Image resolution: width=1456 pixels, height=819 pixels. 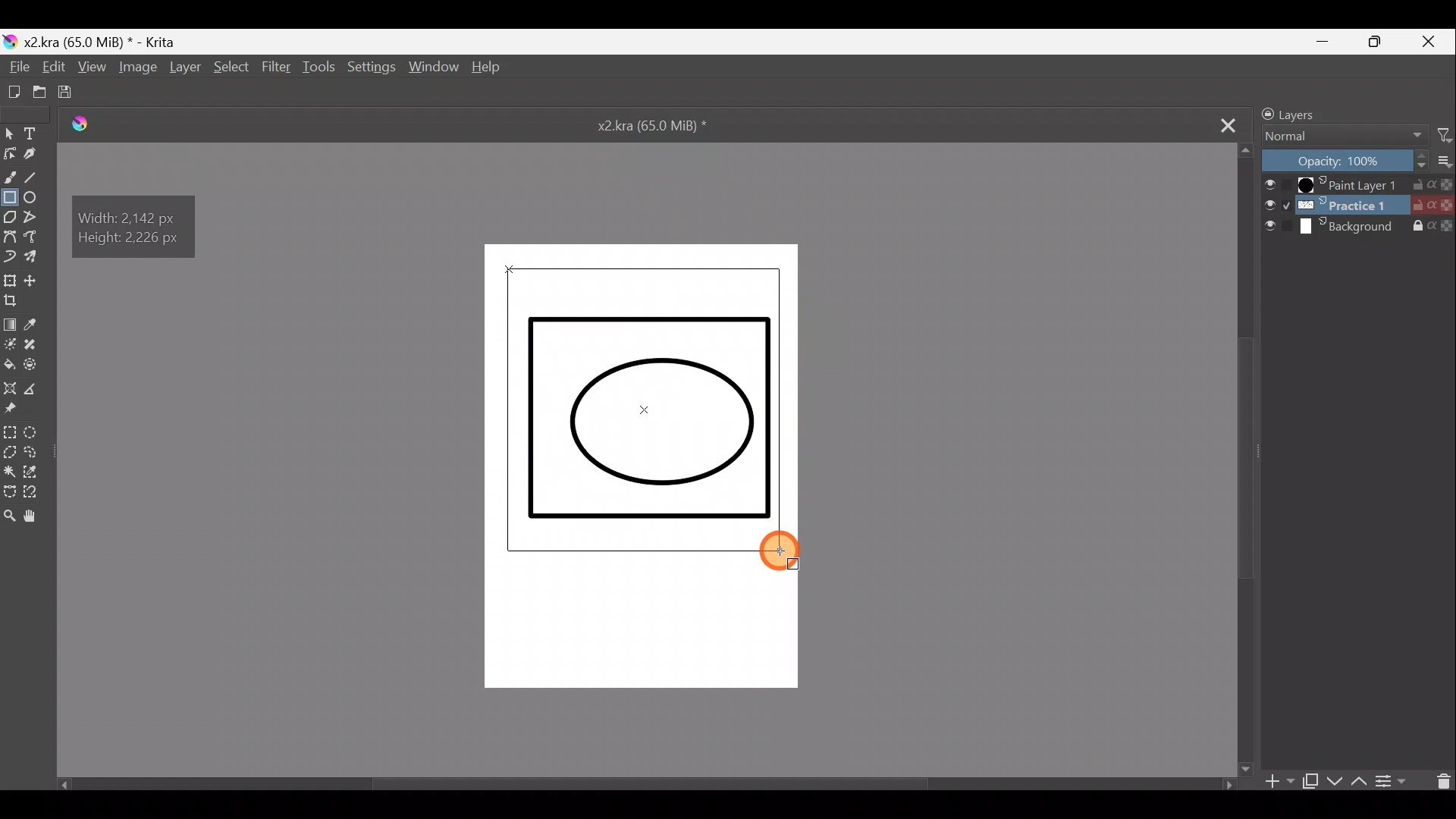 I want to click on Freehand selection tool, so click(x=33, y=453).